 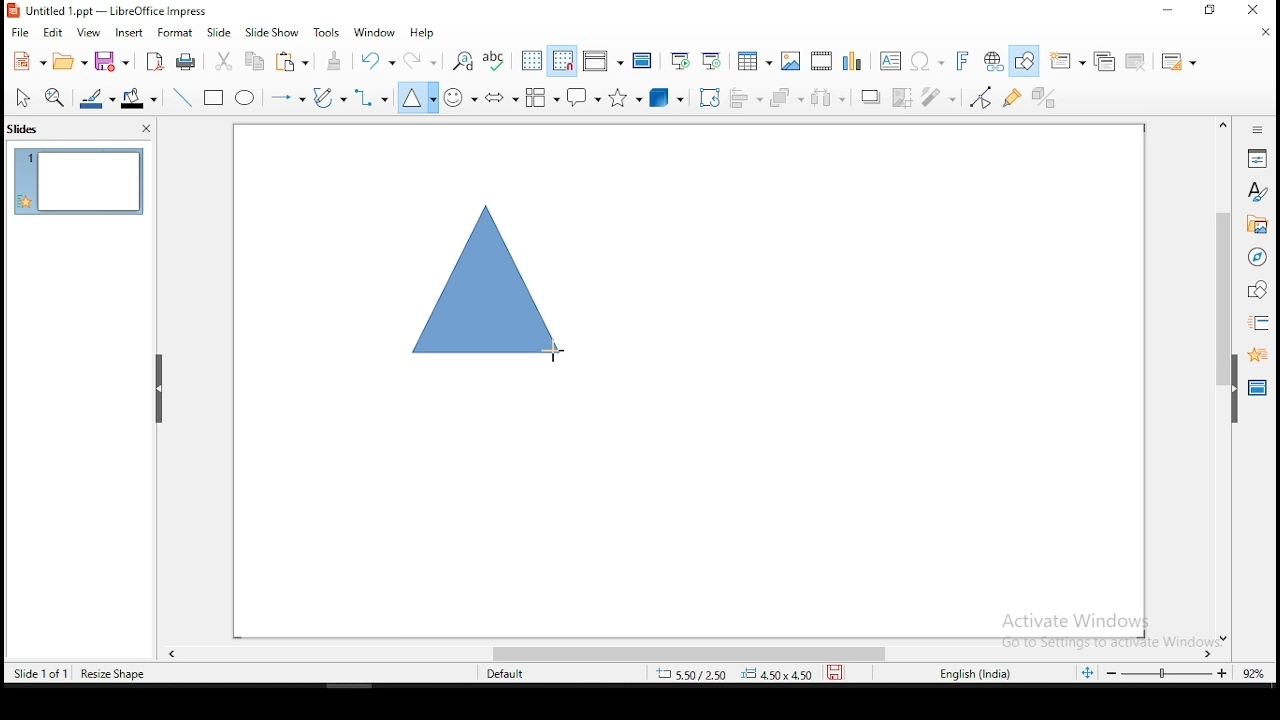 I want to click on symbol shapes, so click(x=460, y=97).